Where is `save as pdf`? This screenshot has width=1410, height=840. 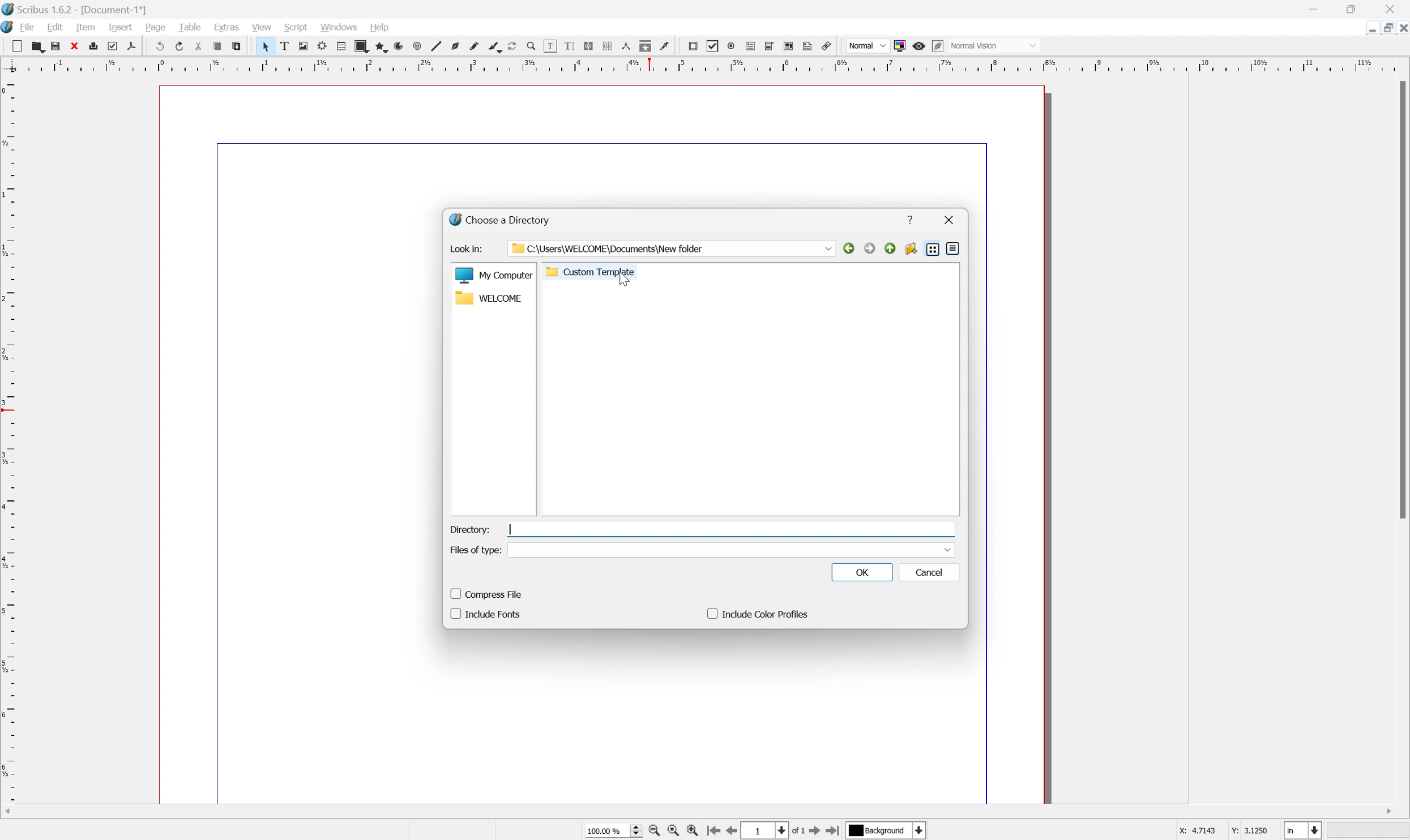 save as pdf is located at coordinates (131, 47).